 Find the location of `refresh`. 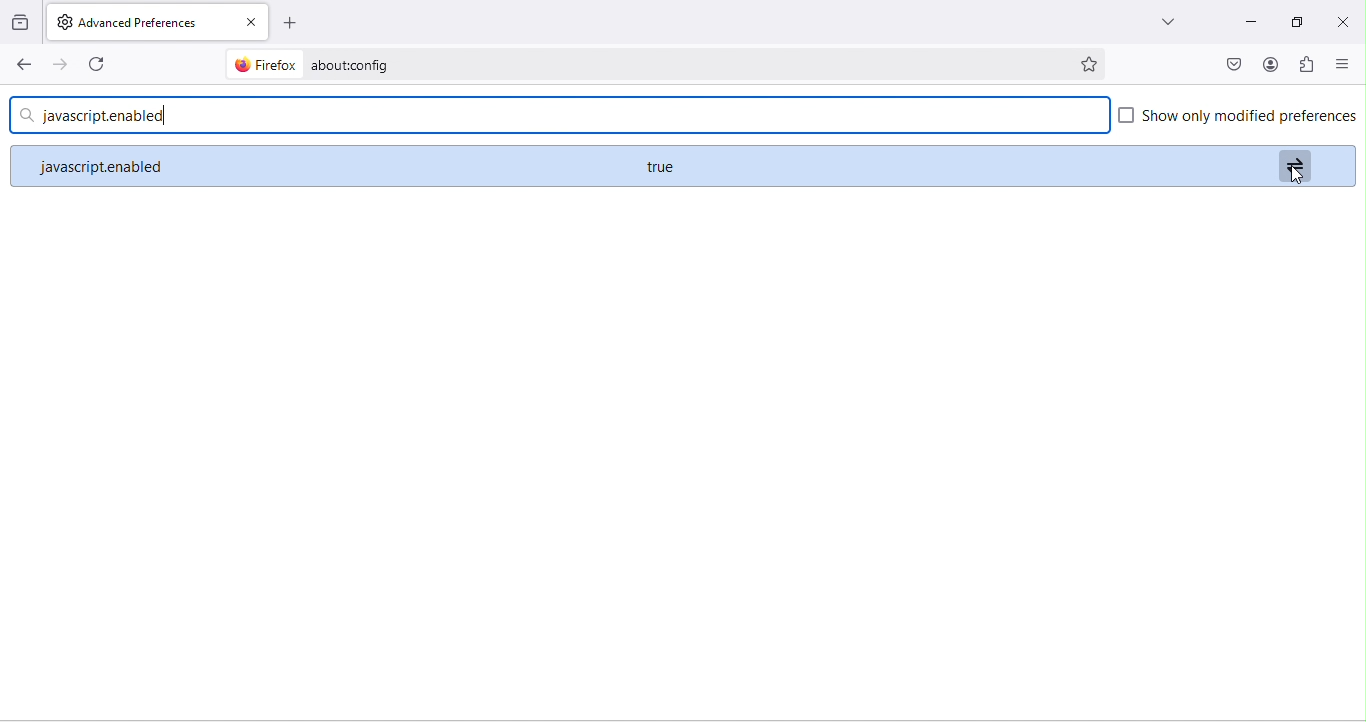

refresh is located at coordinates (96, 62).